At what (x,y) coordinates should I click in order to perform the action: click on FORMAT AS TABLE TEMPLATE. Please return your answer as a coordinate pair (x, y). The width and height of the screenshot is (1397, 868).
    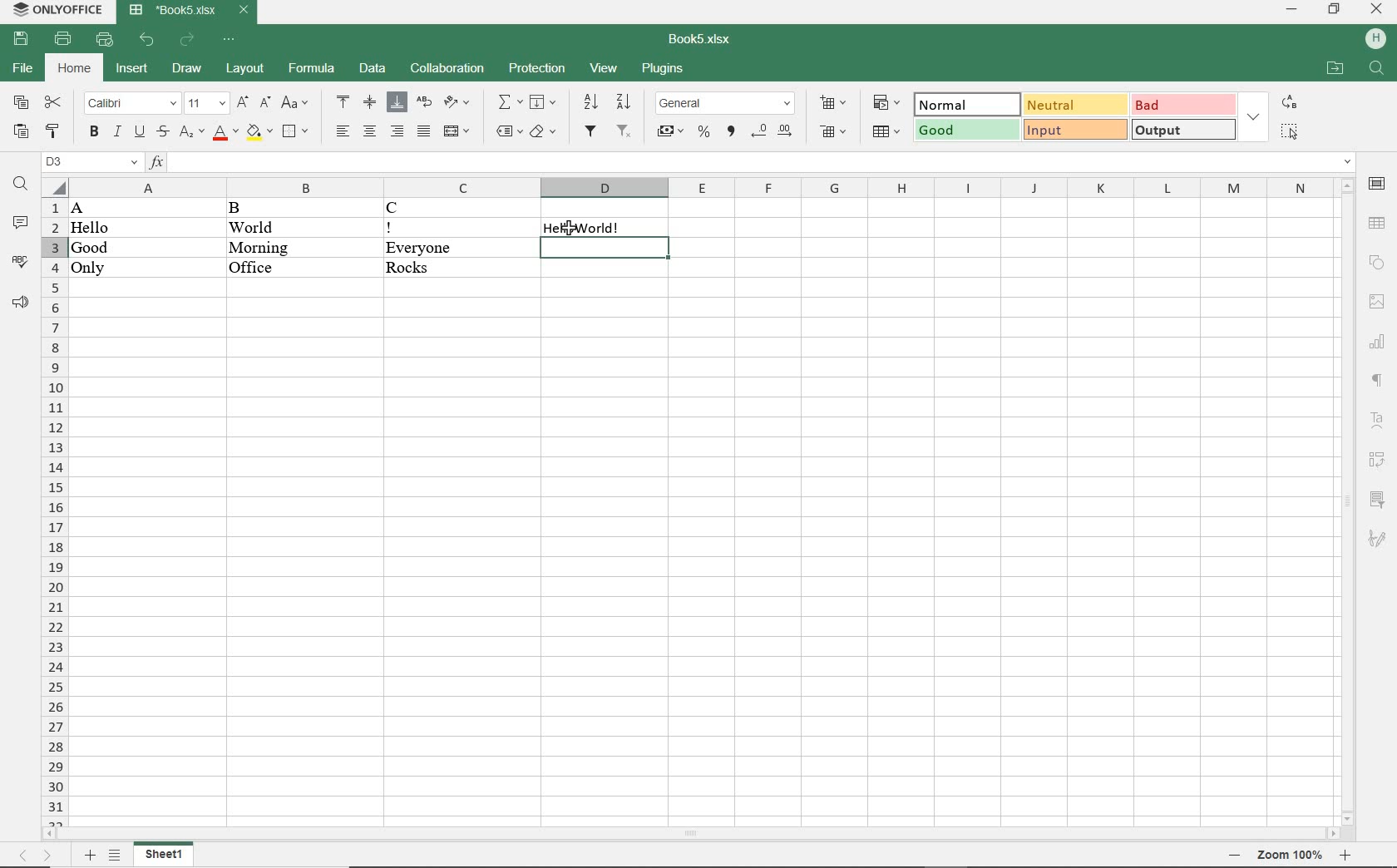
    Looking at the image, I should click on (886, 131).